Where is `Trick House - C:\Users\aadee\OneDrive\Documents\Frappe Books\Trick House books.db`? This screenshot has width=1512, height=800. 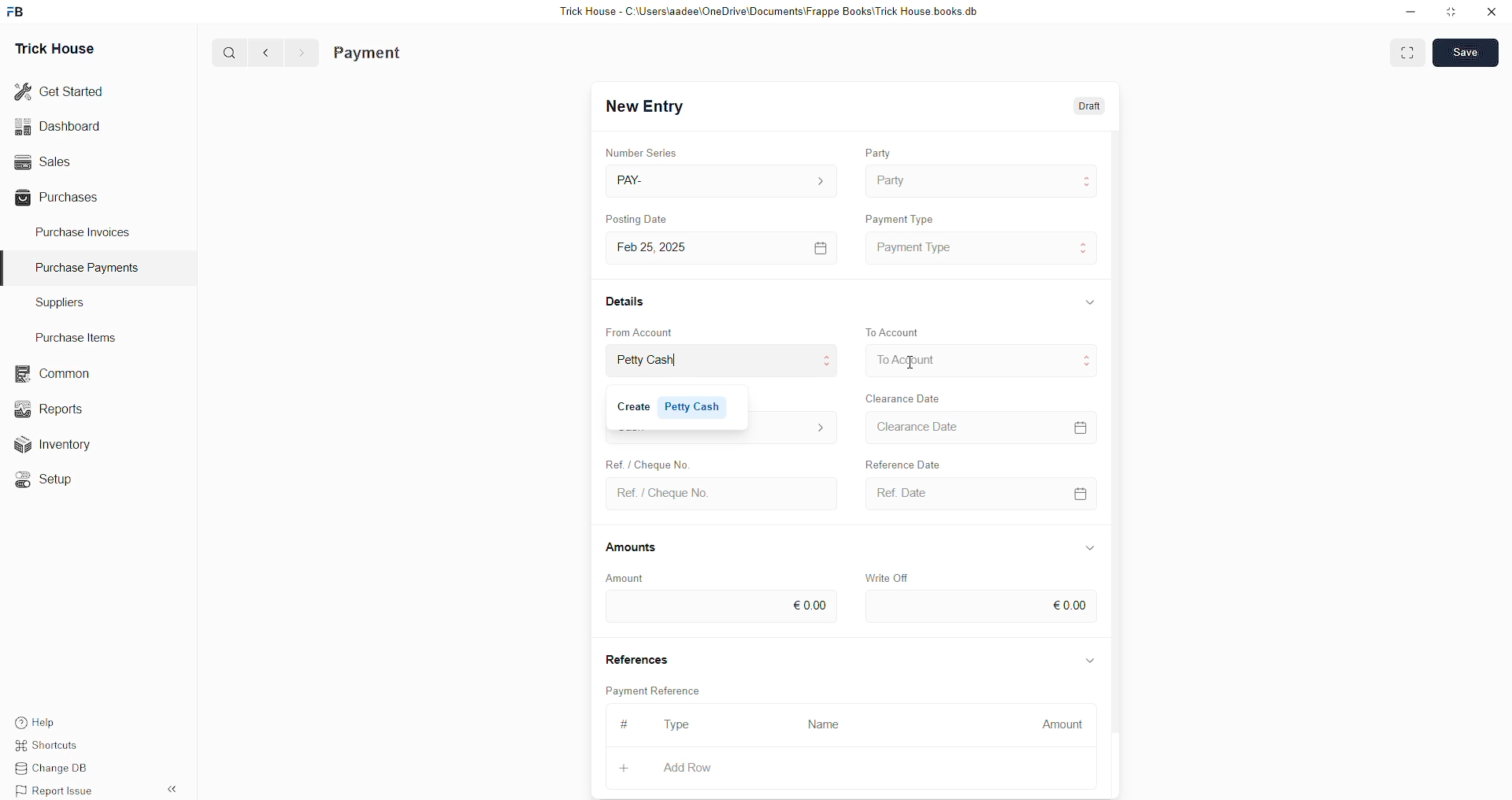
Trick House - C:\Users\aadee\OneDrive\Documents\Frappe Books\Trick House books.db is located at coordinates (772, 12).